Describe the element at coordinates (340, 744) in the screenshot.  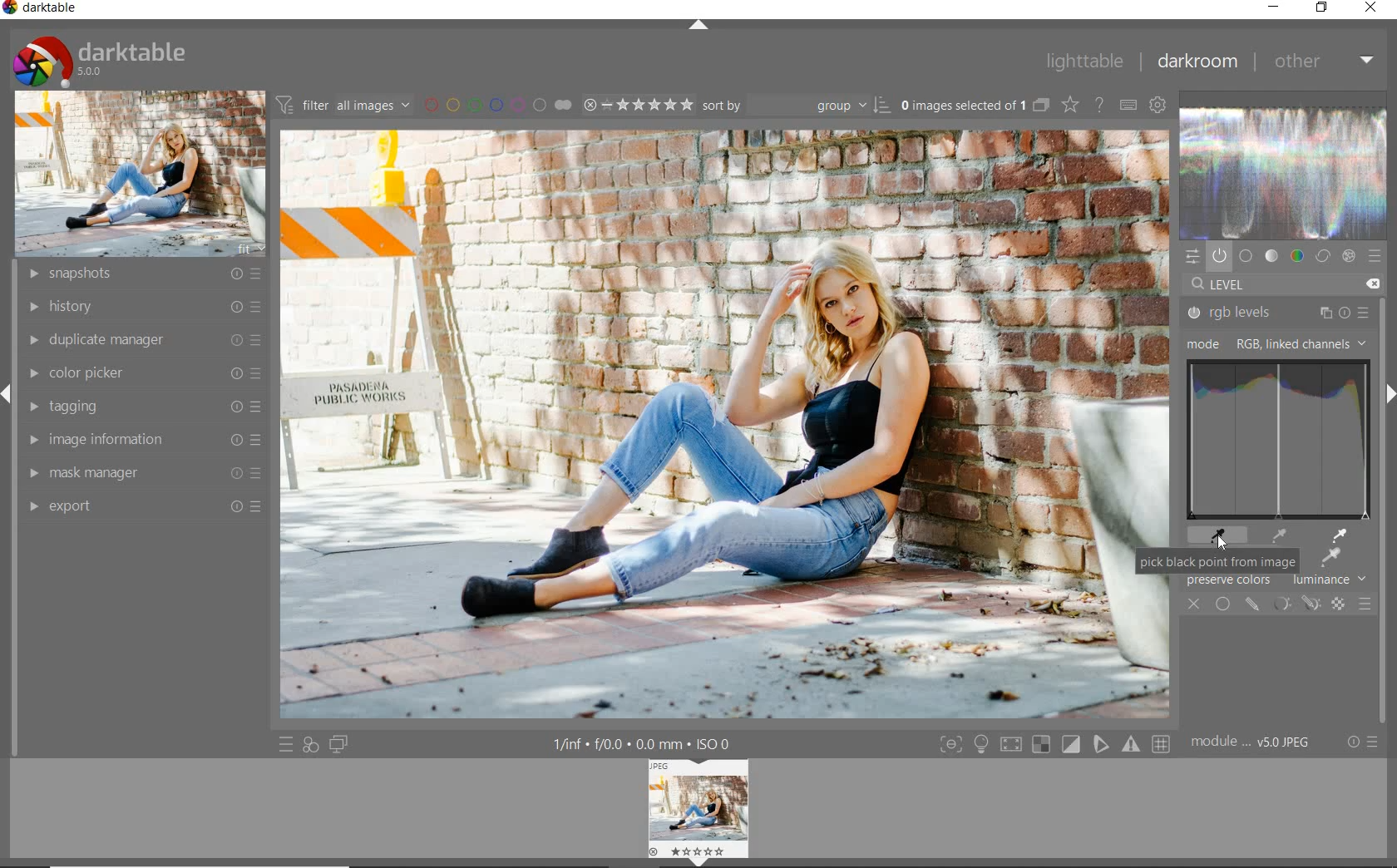
I see `display a second darkroom image widow` at that location.